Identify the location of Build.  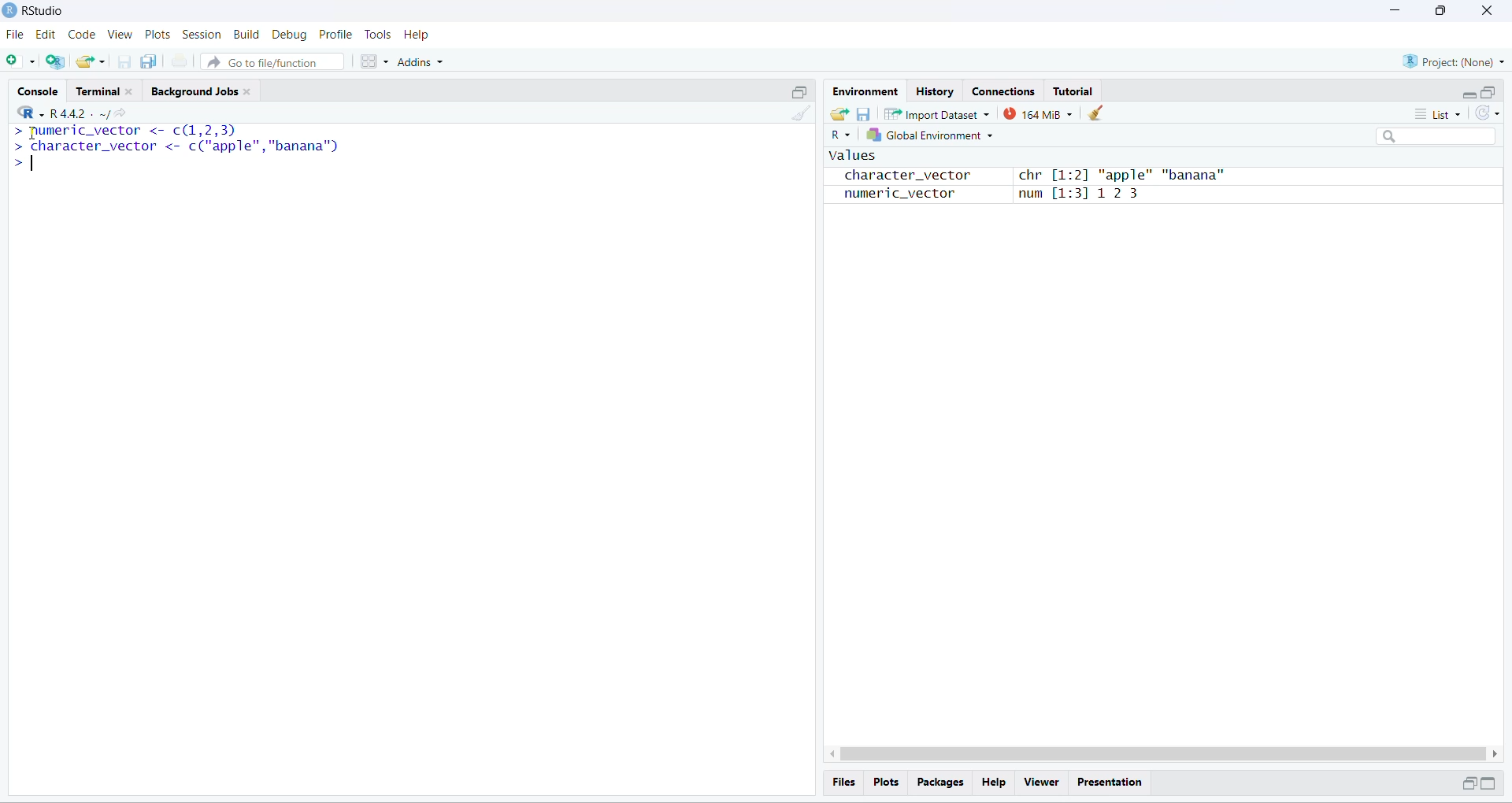
(246, 34).